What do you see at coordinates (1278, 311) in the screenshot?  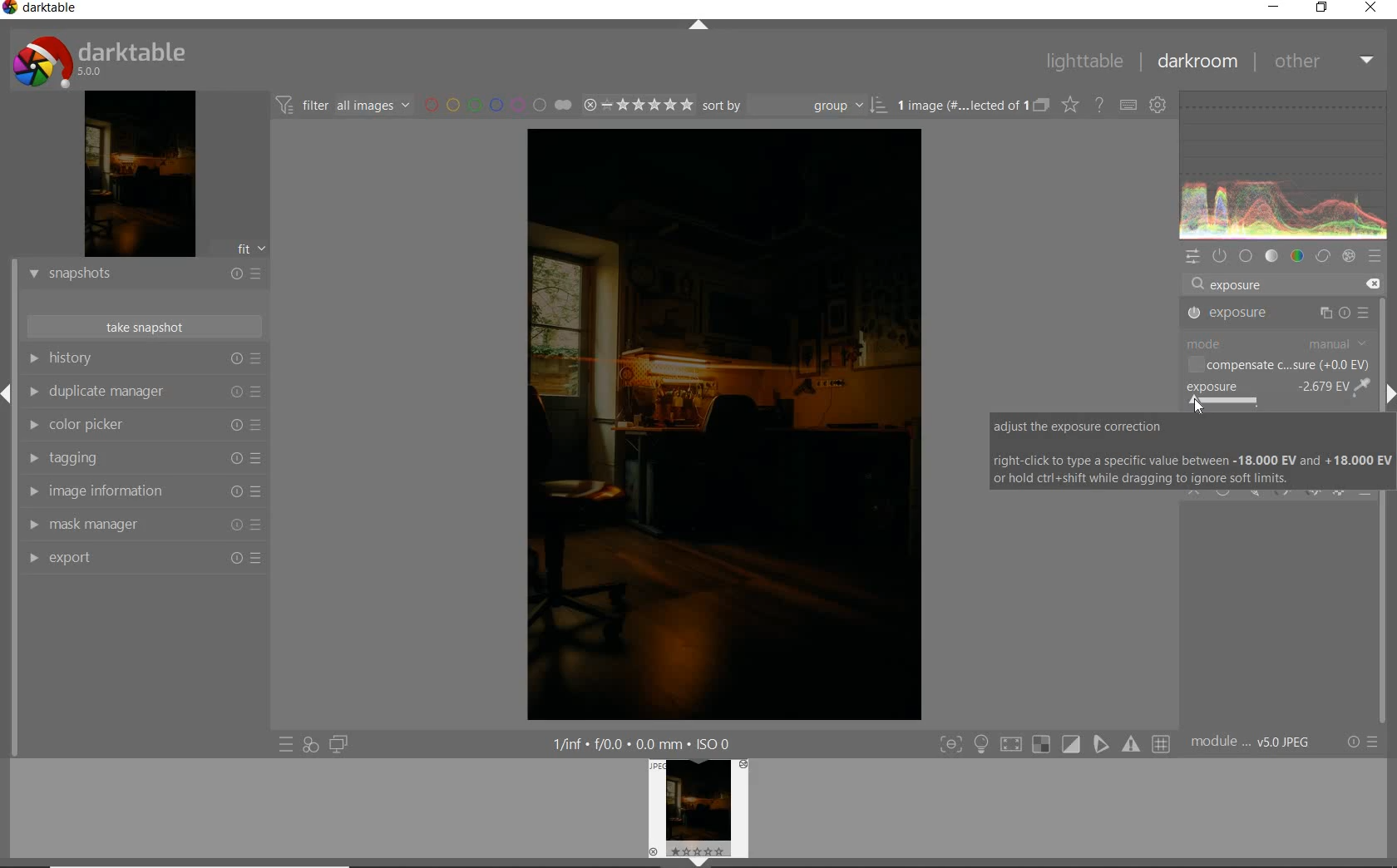 I see `exposure` at bounding box center [1278, 311].